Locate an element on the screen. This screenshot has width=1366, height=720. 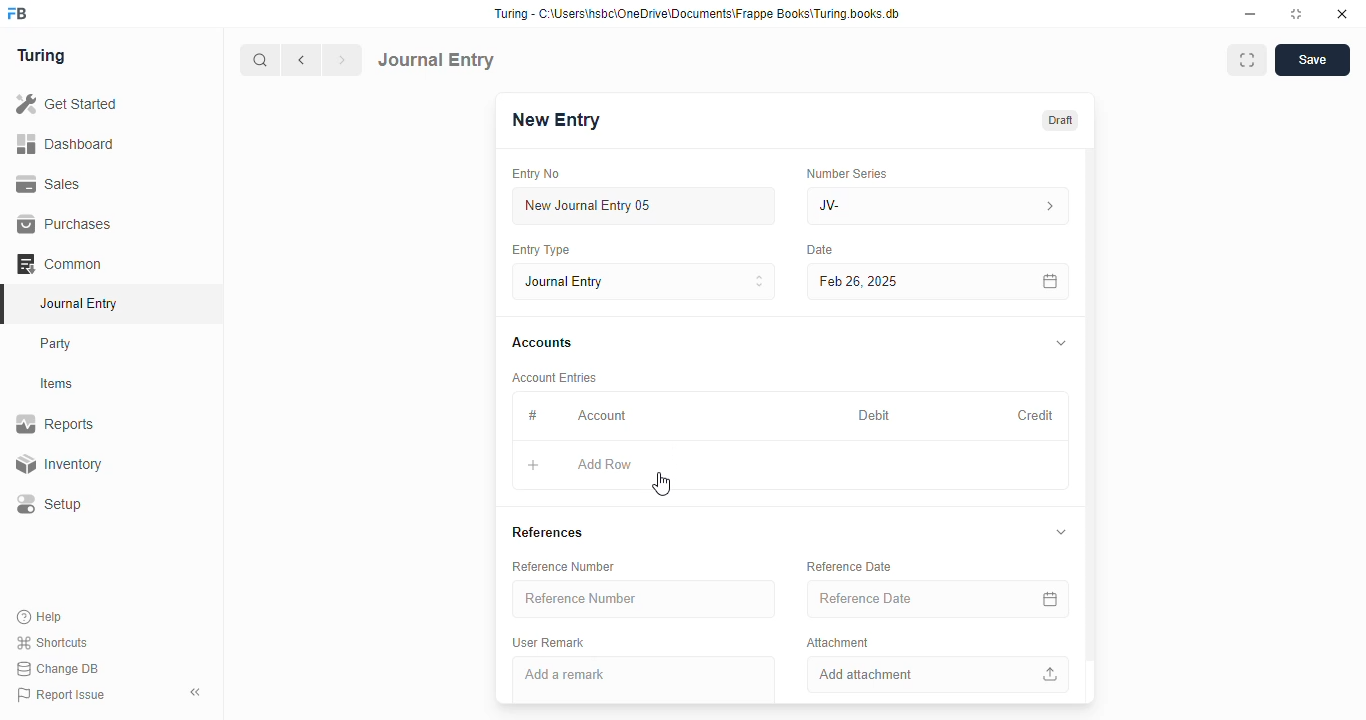
calendar icon is located at coordinates (1050, 599).